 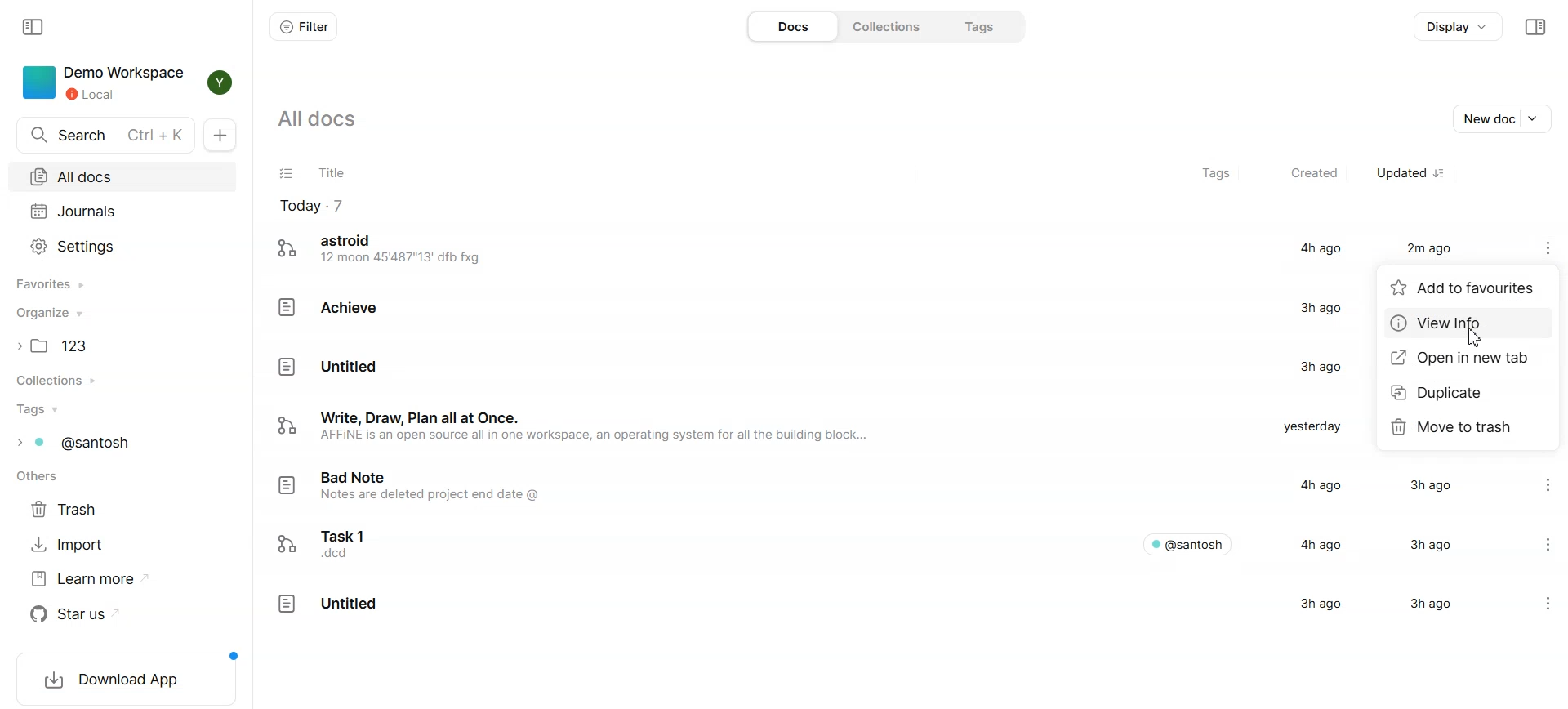 What do you see at coordinates (1402, 173) in the screenshot?
I see `Updated` at bounding box center [1402, 173].